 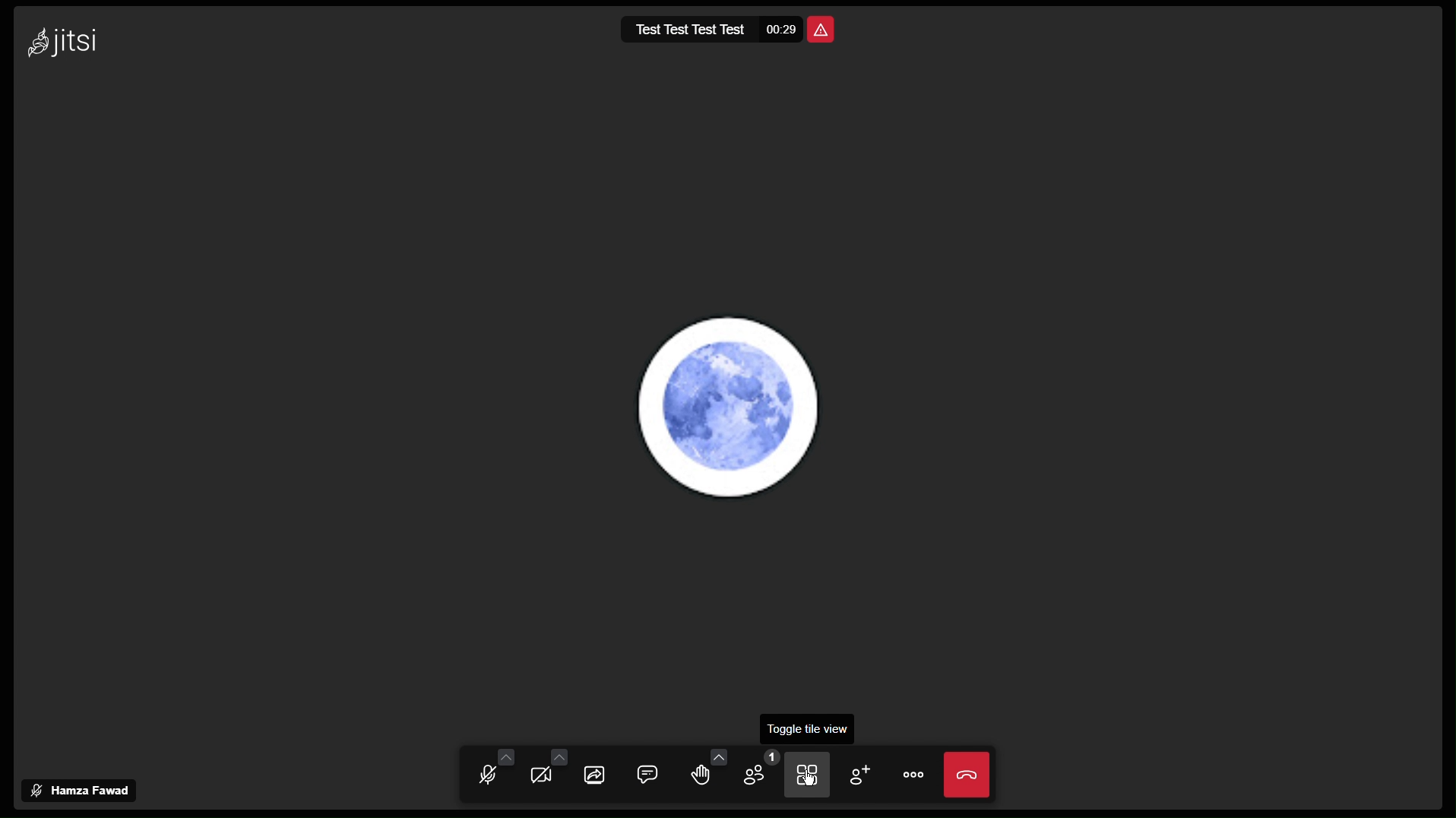 What do you see at coordinates (652, 775) in the screenshot?
I see `Chat` at bounding box center [652, 775].